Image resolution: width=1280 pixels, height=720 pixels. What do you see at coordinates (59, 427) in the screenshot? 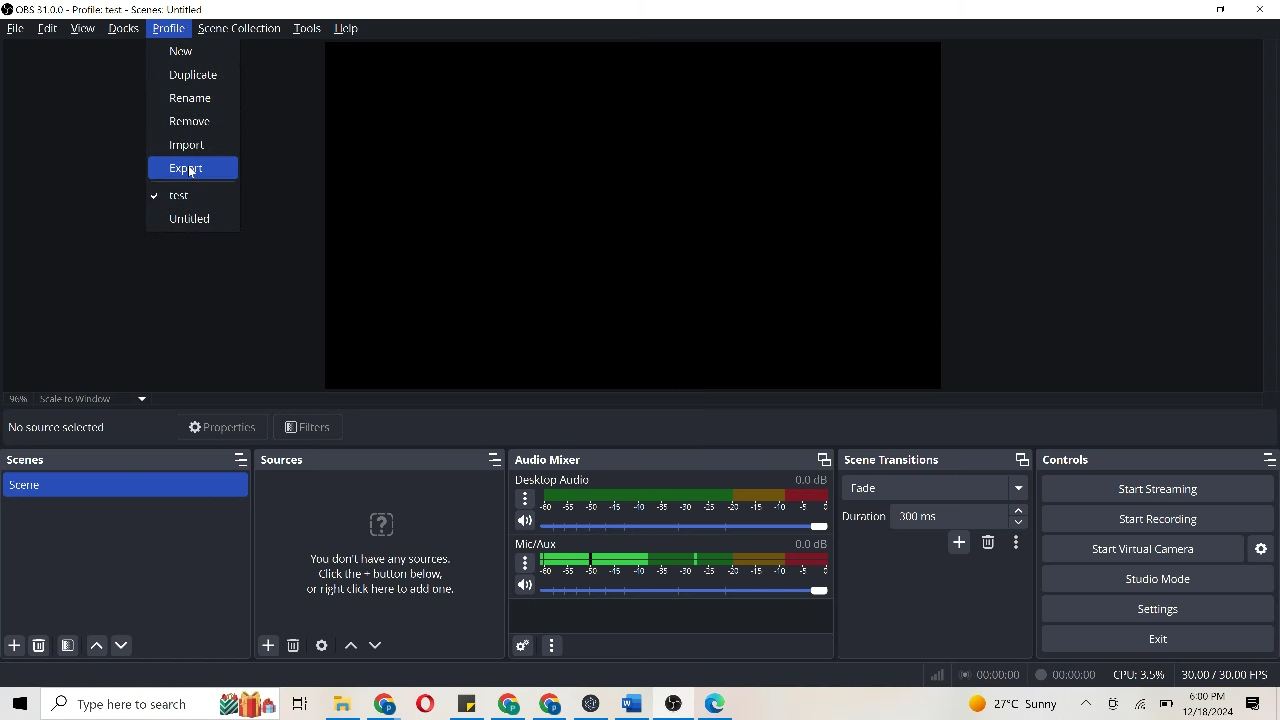
I see `No source selected` at bounding box center [59, 427].